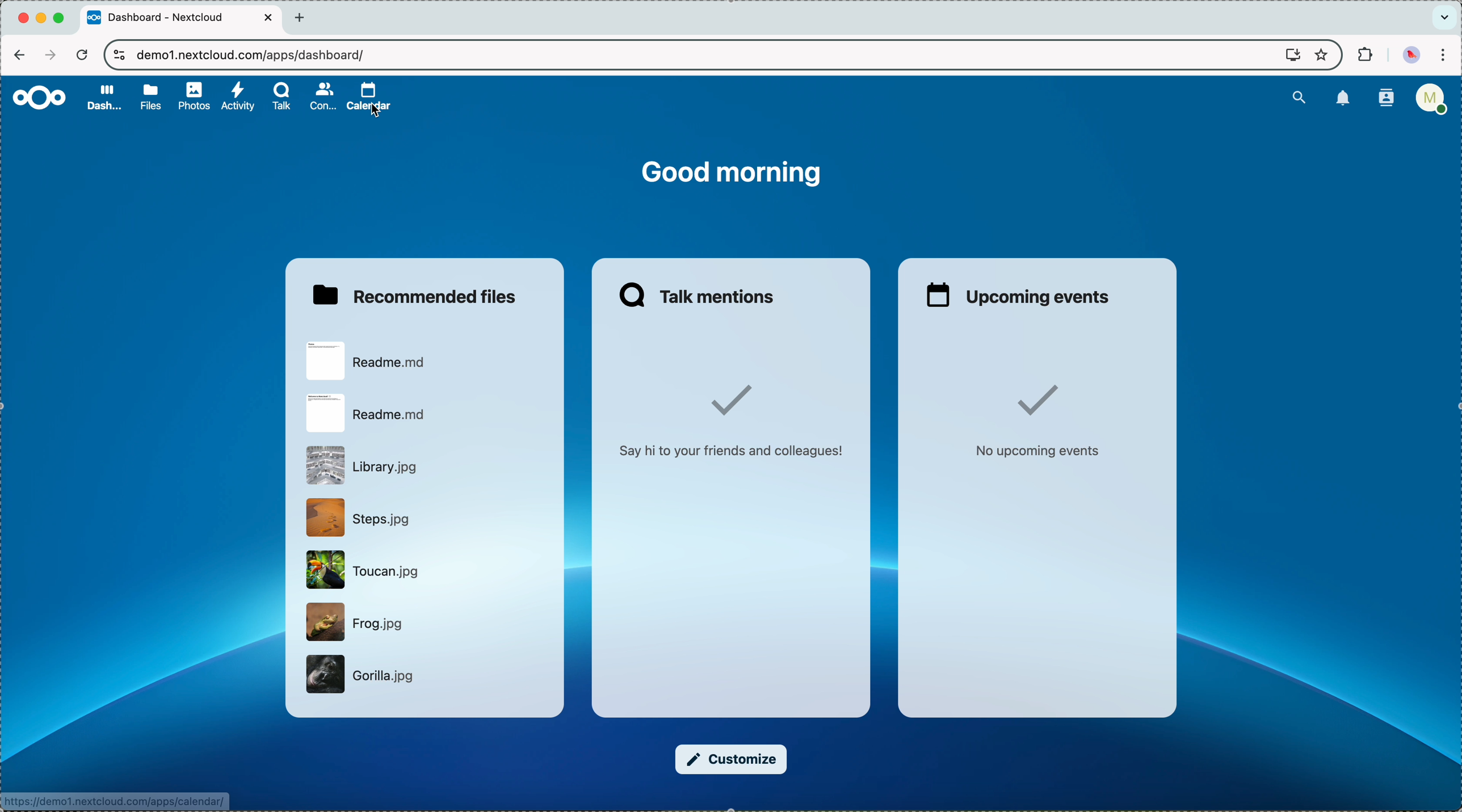 The height and width of the screenshot is (812, 1462). What do you see at coordinates (19, 54) in the screenshot?
I see `navigate back` at bounding box center [19, 54].